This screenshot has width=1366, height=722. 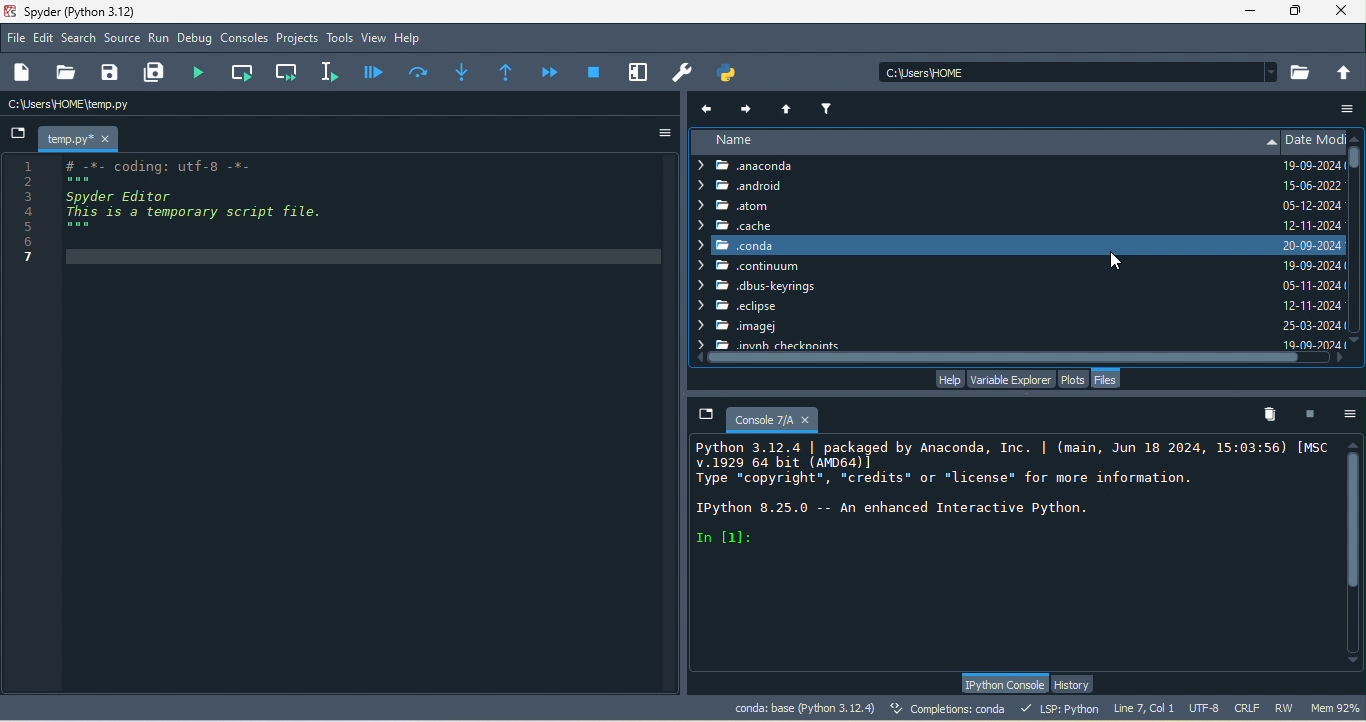 I want to click on scroll down, so click(x=1354, y=663).